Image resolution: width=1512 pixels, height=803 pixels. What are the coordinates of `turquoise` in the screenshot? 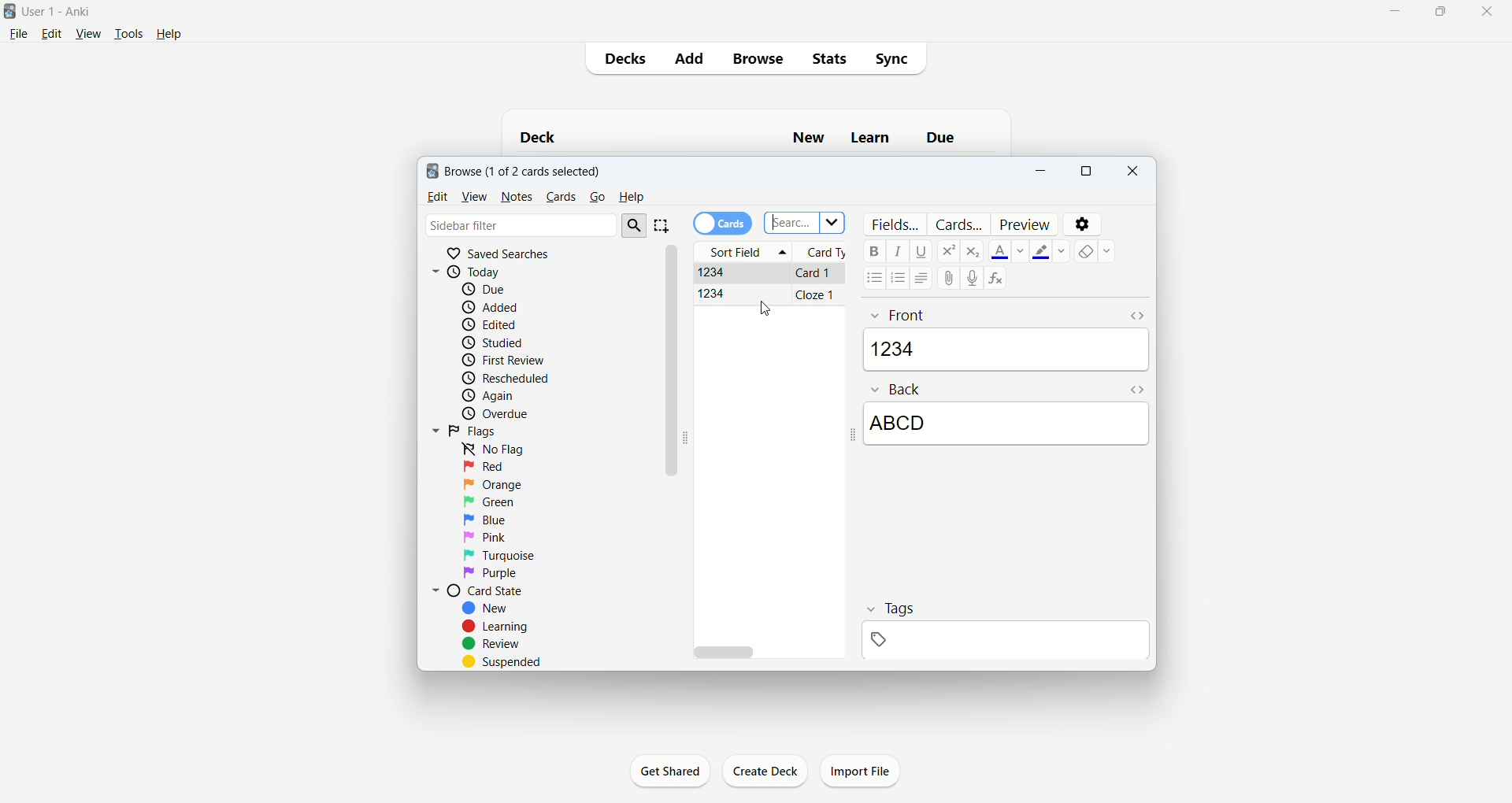 It's located at (498, 557).